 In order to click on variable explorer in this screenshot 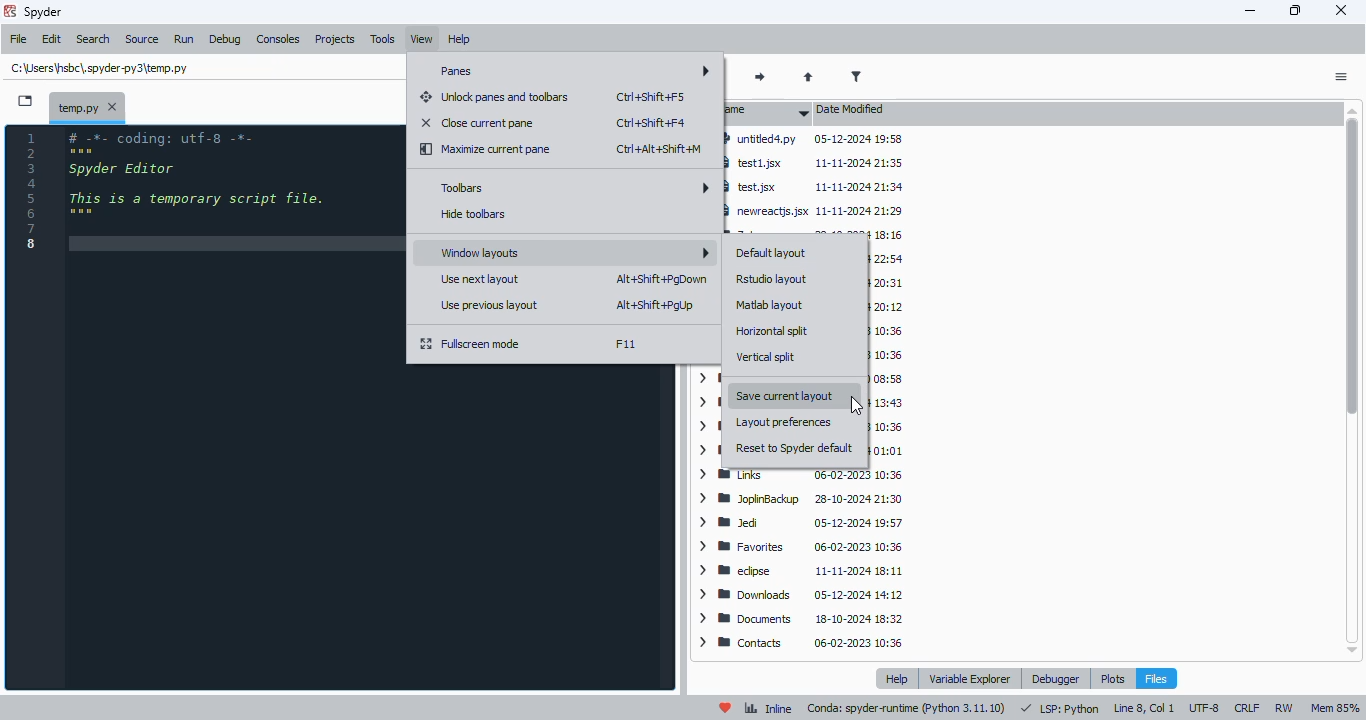, I will do `click(970, 678)`.